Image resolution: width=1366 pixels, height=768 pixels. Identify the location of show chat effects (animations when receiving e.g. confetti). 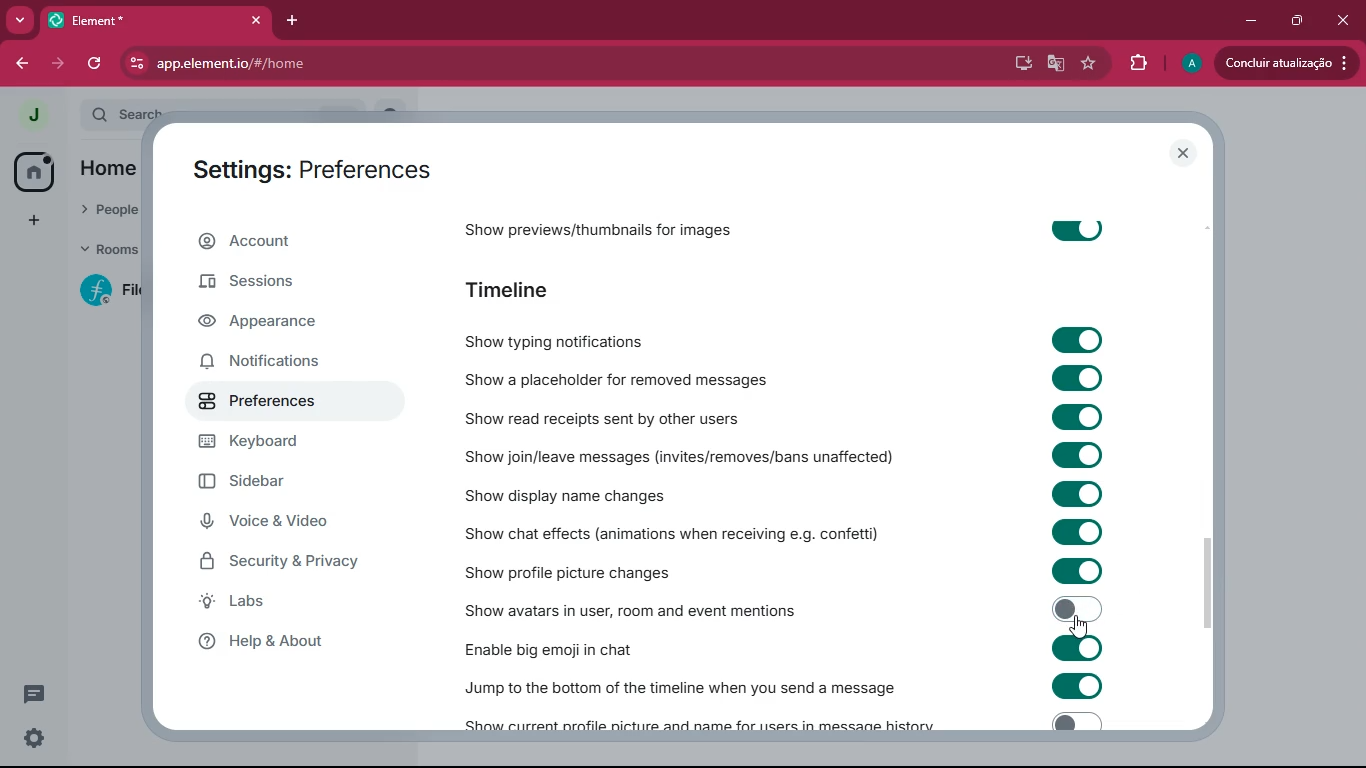
(668, 533).